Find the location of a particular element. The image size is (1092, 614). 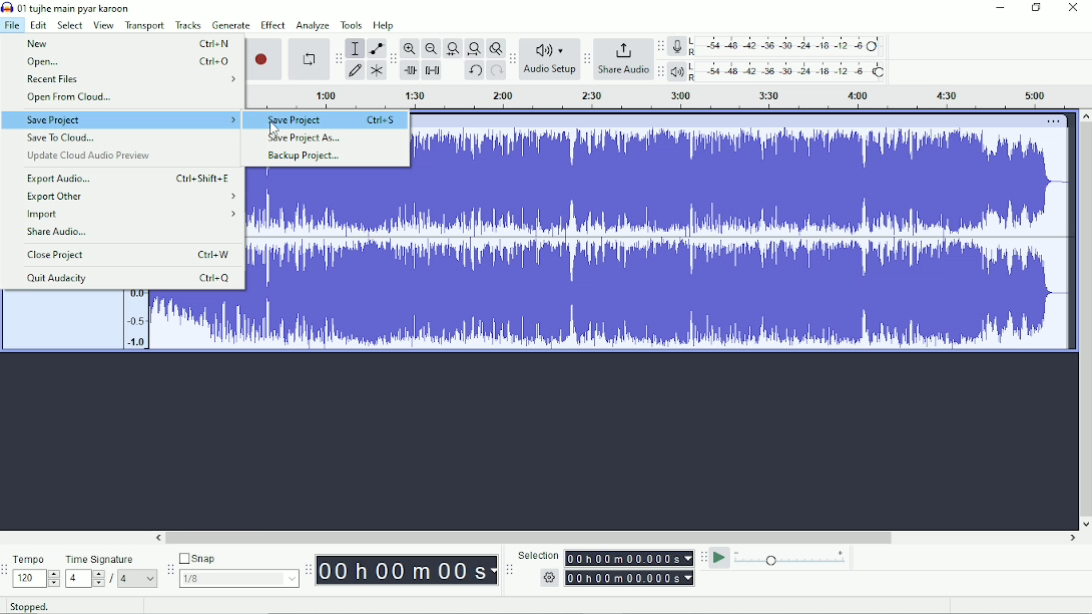

Audacity share audio toolbar is located at coordinates (587, 60).